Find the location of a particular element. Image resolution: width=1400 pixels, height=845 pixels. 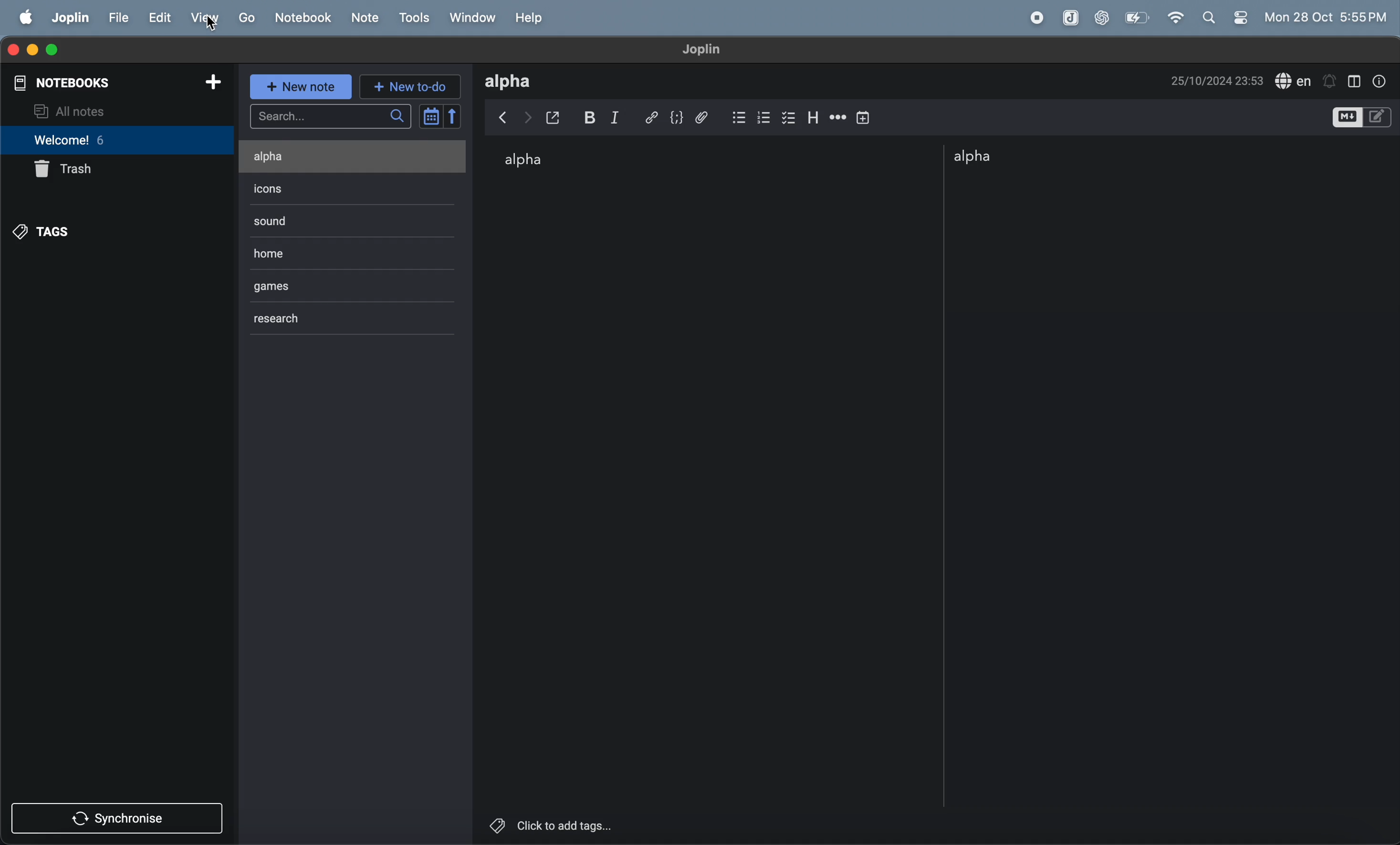

create alert is located at coordinates (1330, 78).